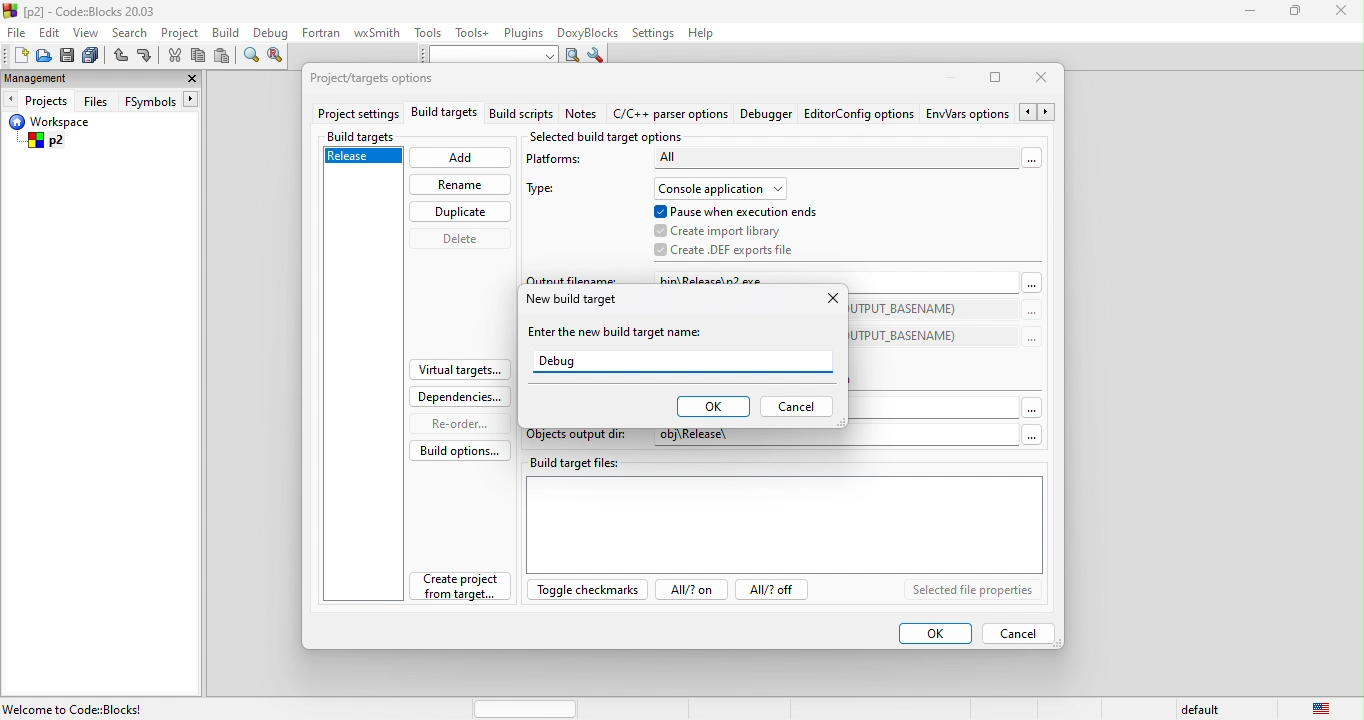  What do you see at coordinates (145, 57) in the screenshot?
I see `redo` at bounding box center [145, 57].